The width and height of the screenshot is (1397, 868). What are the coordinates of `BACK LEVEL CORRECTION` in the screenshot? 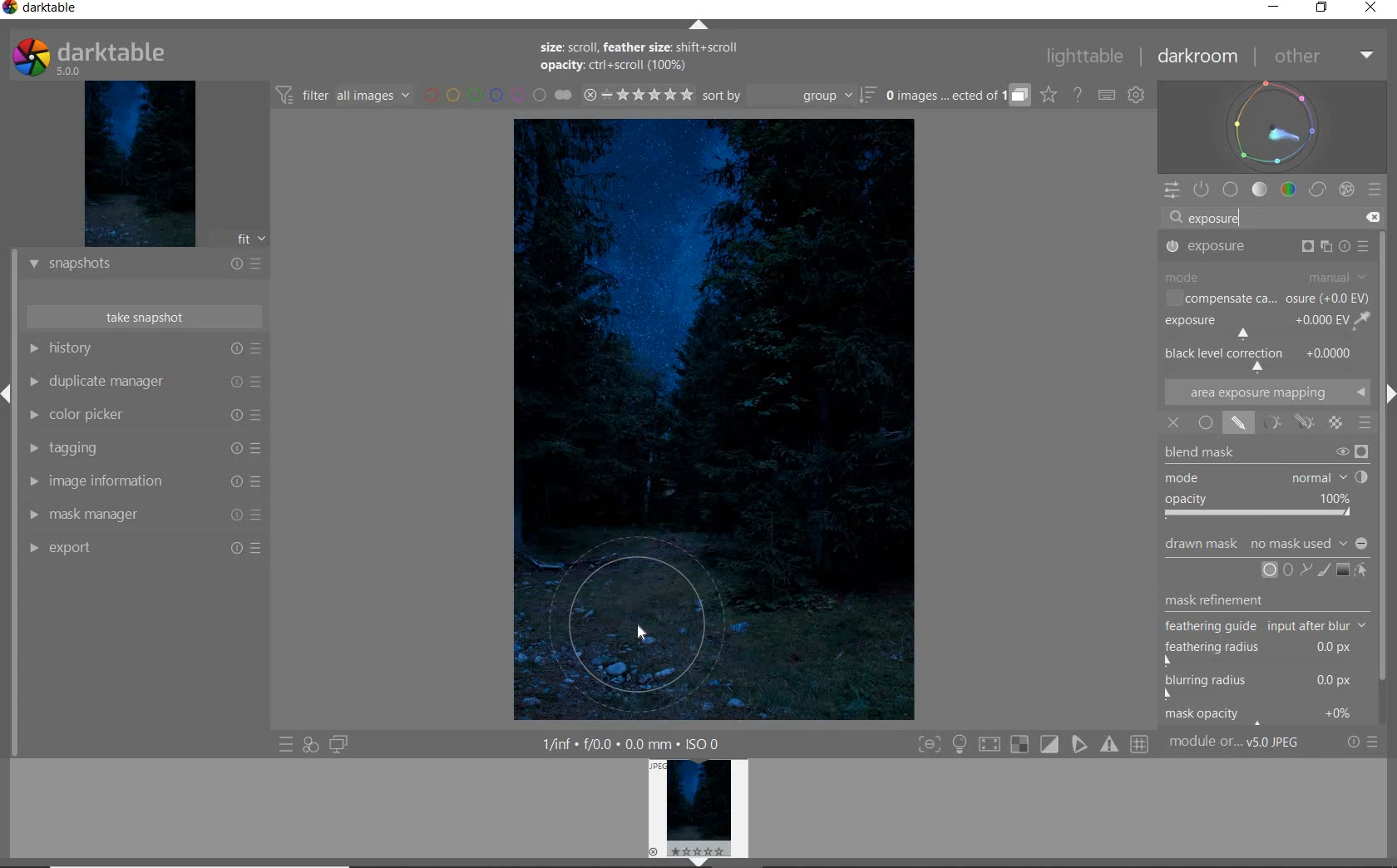 It's located at (1266, 358).